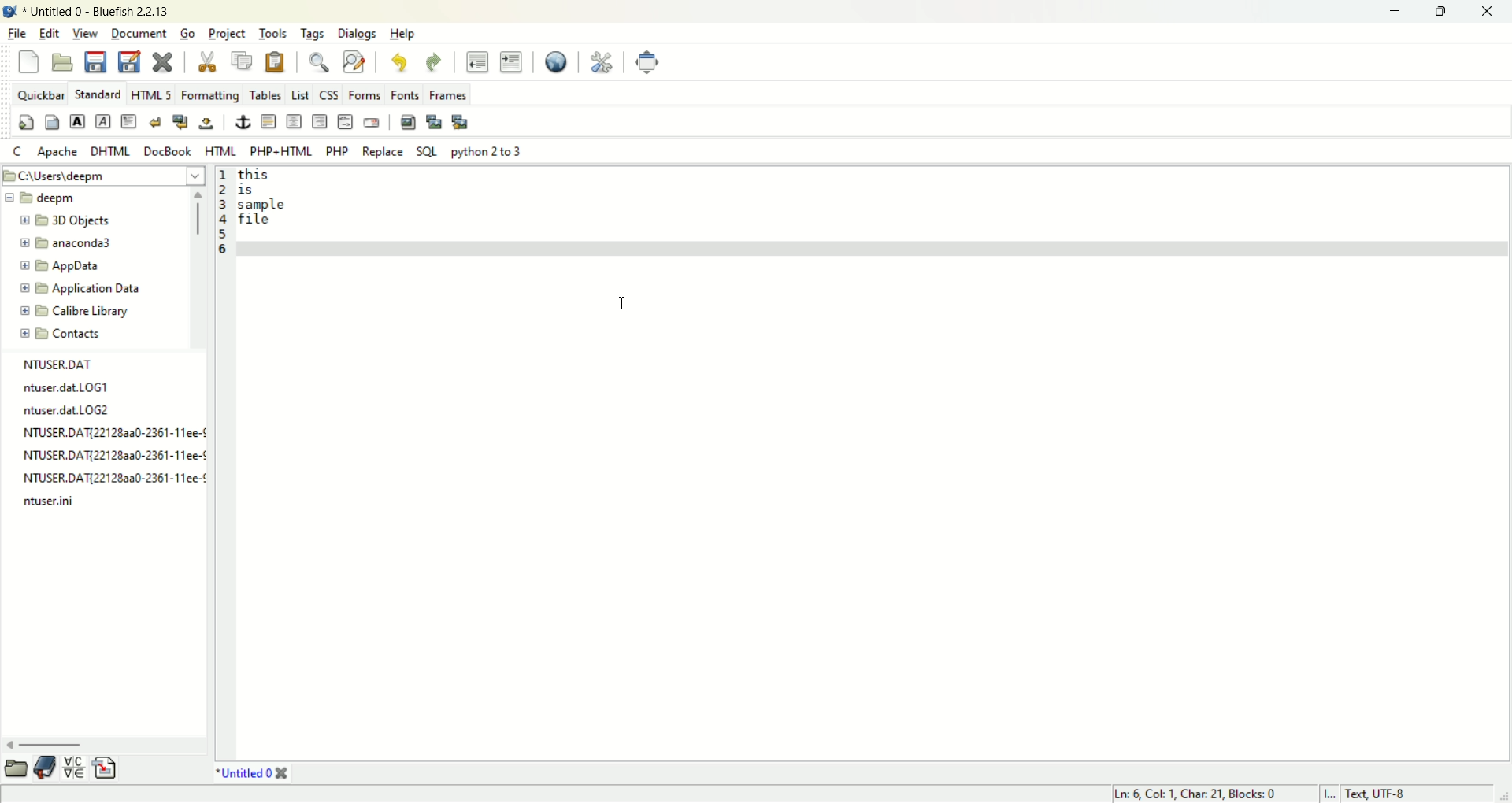 This screenshot has width=1512, height=803. Describe the element at coordinates (242, 60) in the screenshot. I see `copy` at that location.